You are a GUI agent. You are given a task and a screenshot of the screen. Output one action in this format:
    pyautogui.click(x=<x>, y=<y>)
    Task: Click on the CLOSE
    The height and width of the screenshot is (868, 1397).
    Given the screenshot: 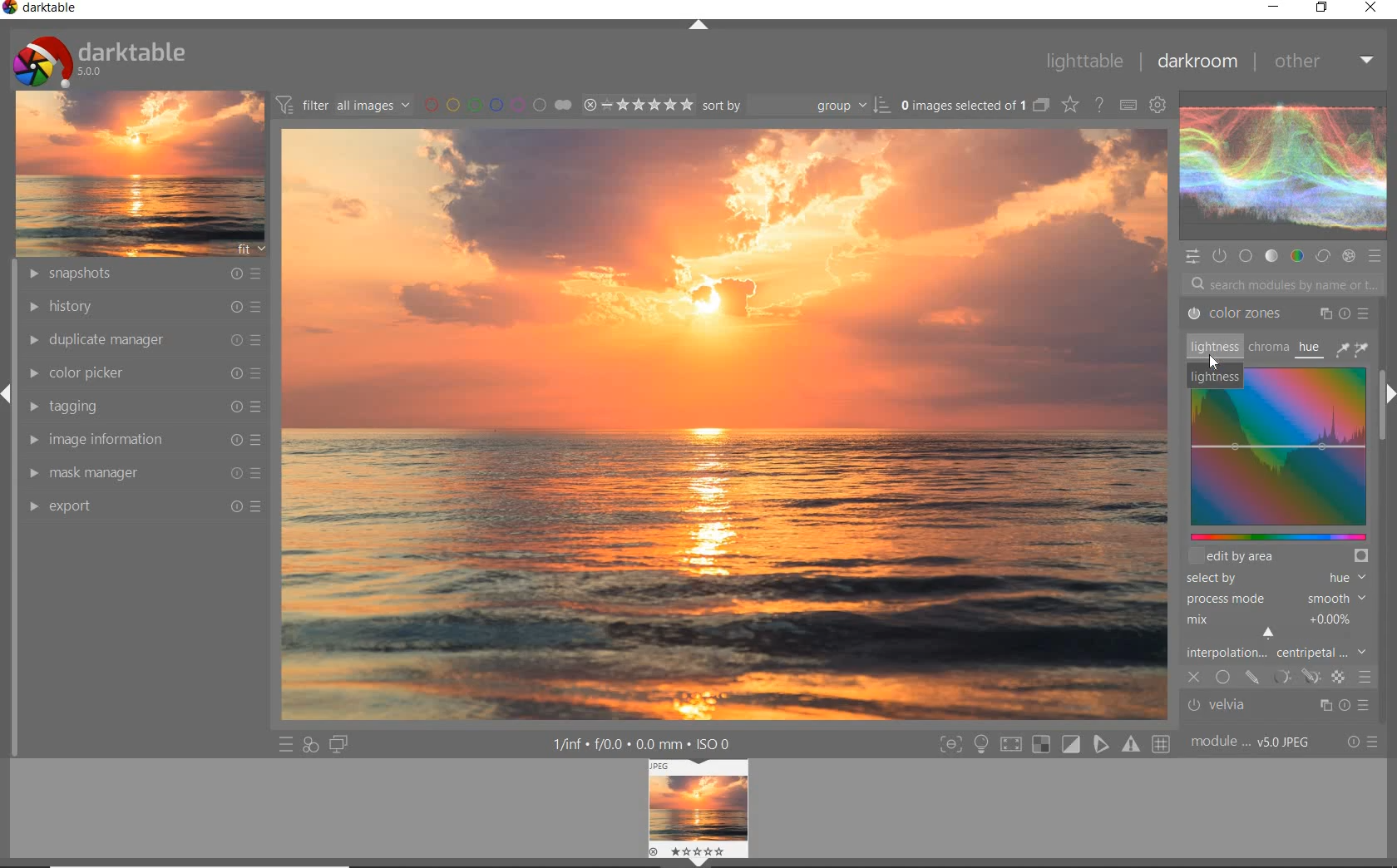 What is the action you would take?
    pyautogui.click(x=1195, y=678)
    